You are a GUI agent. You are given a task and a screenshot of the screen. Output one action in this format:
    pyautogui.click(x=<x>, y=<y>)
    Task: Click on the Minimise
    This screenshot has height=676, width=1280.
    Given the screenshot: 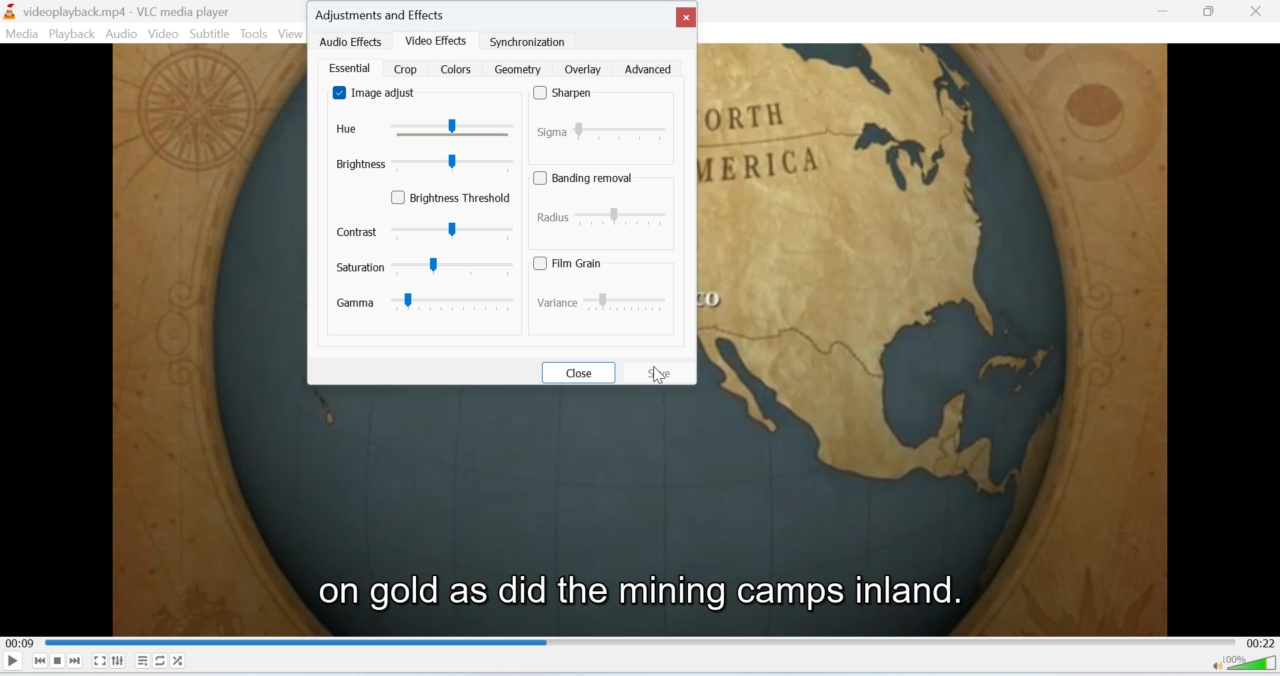 What is the action you would take?
    pyautogui.click(x=1211, y=12)
    